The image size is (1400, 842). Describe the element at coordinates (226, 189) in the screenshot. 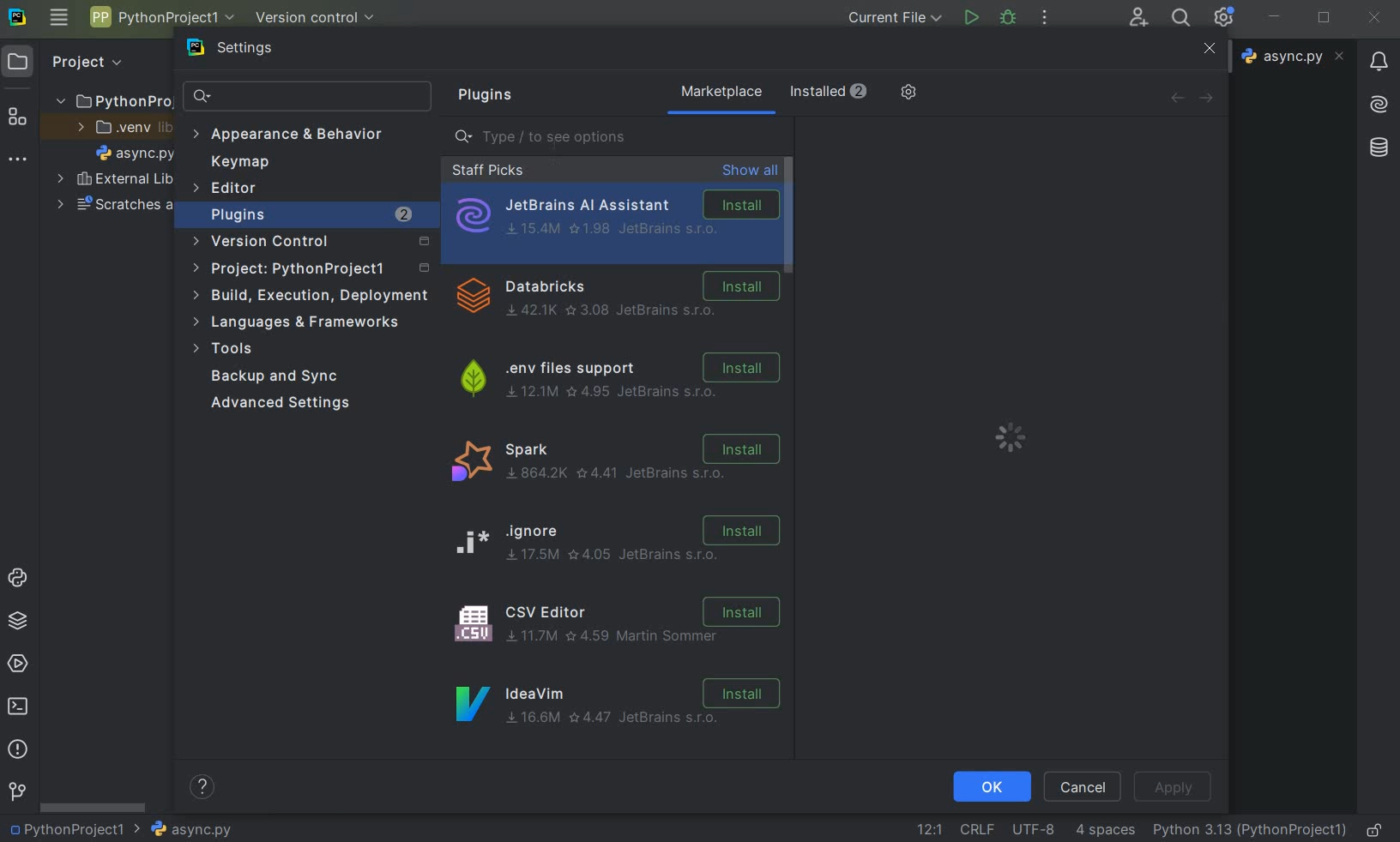

I see `Editor` at that location.